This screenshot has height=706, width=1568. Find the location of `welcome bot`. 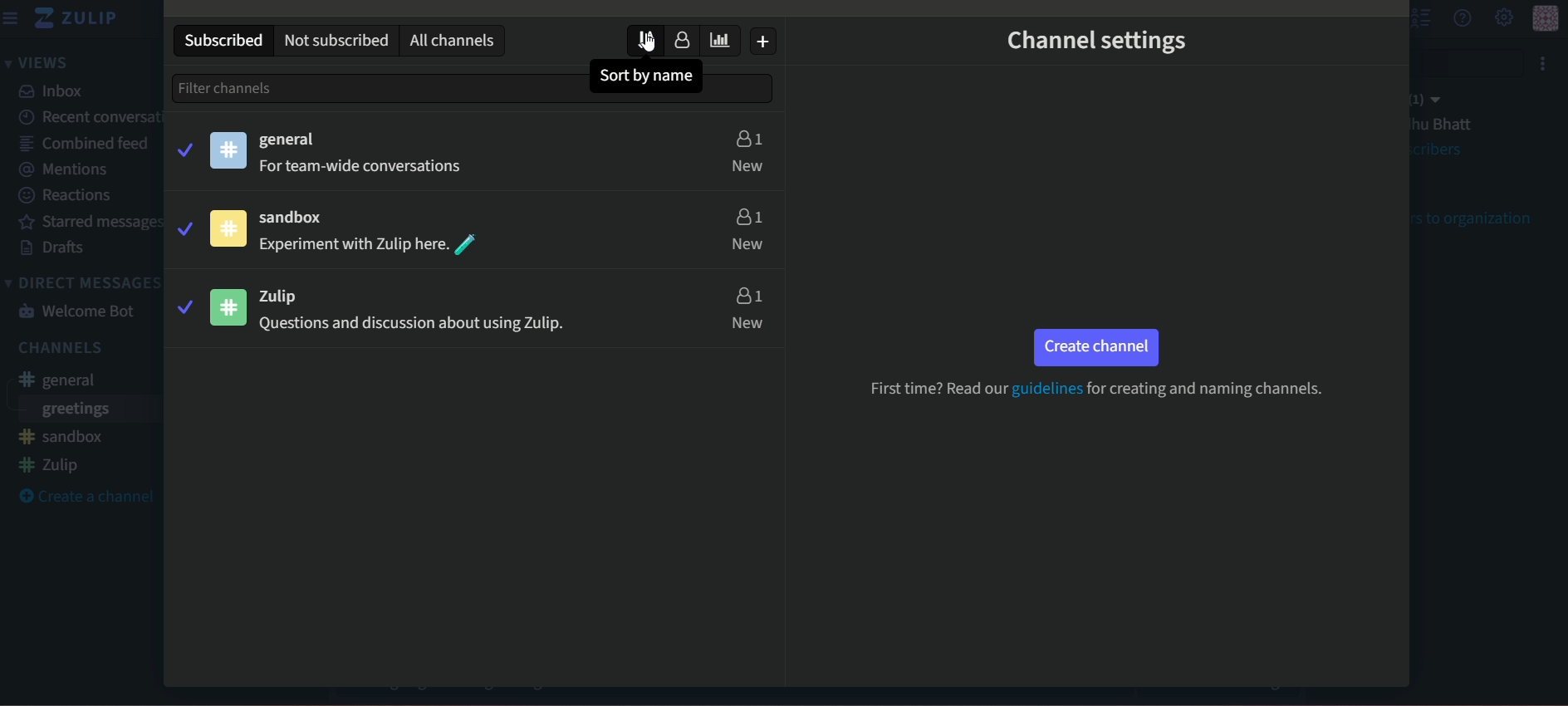

welcome bot is located at coordinates (80, 310).